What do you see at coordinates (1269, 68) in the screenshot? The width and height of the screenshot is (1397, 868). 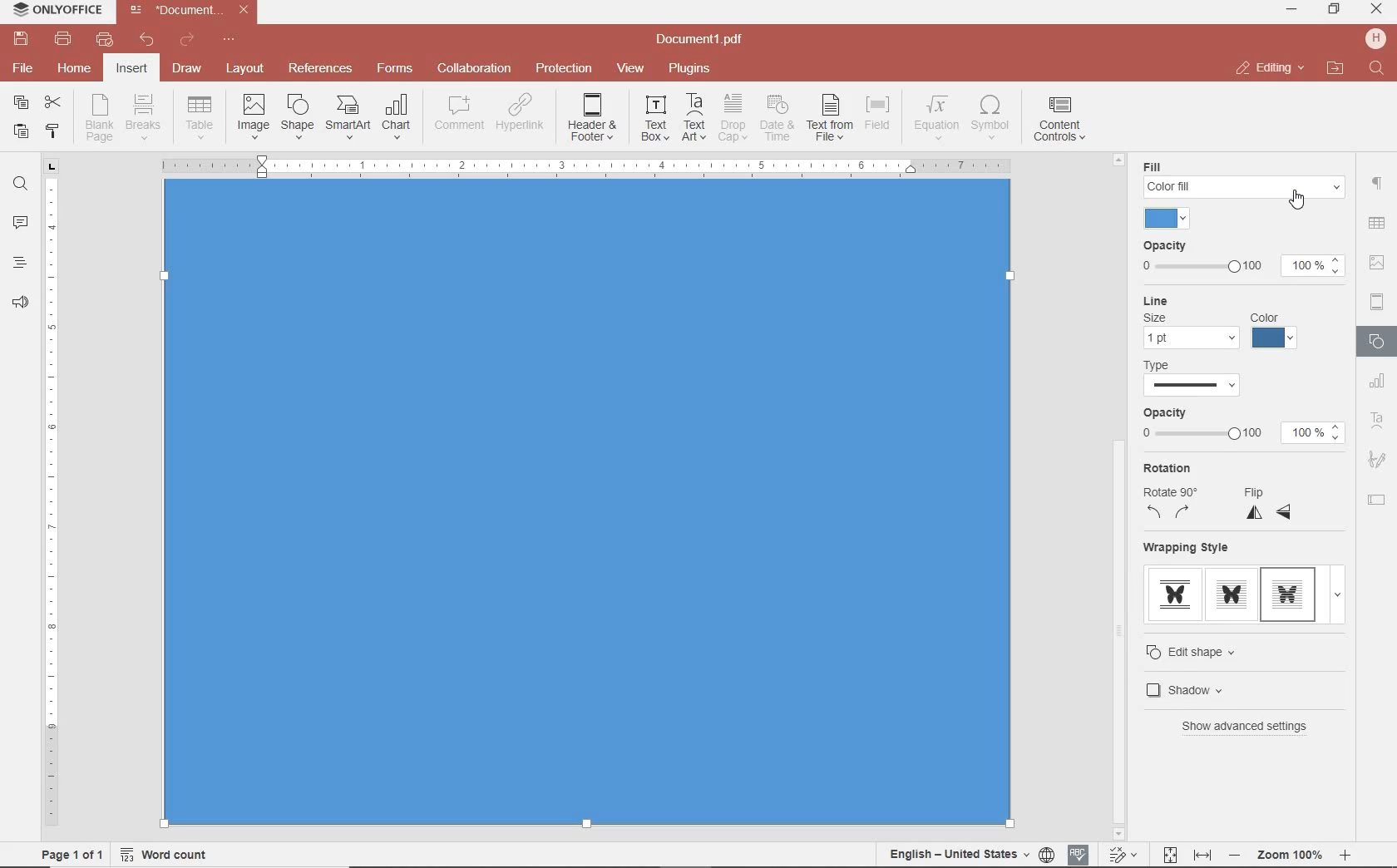 I see `close` at bounding box center [1269, 68].